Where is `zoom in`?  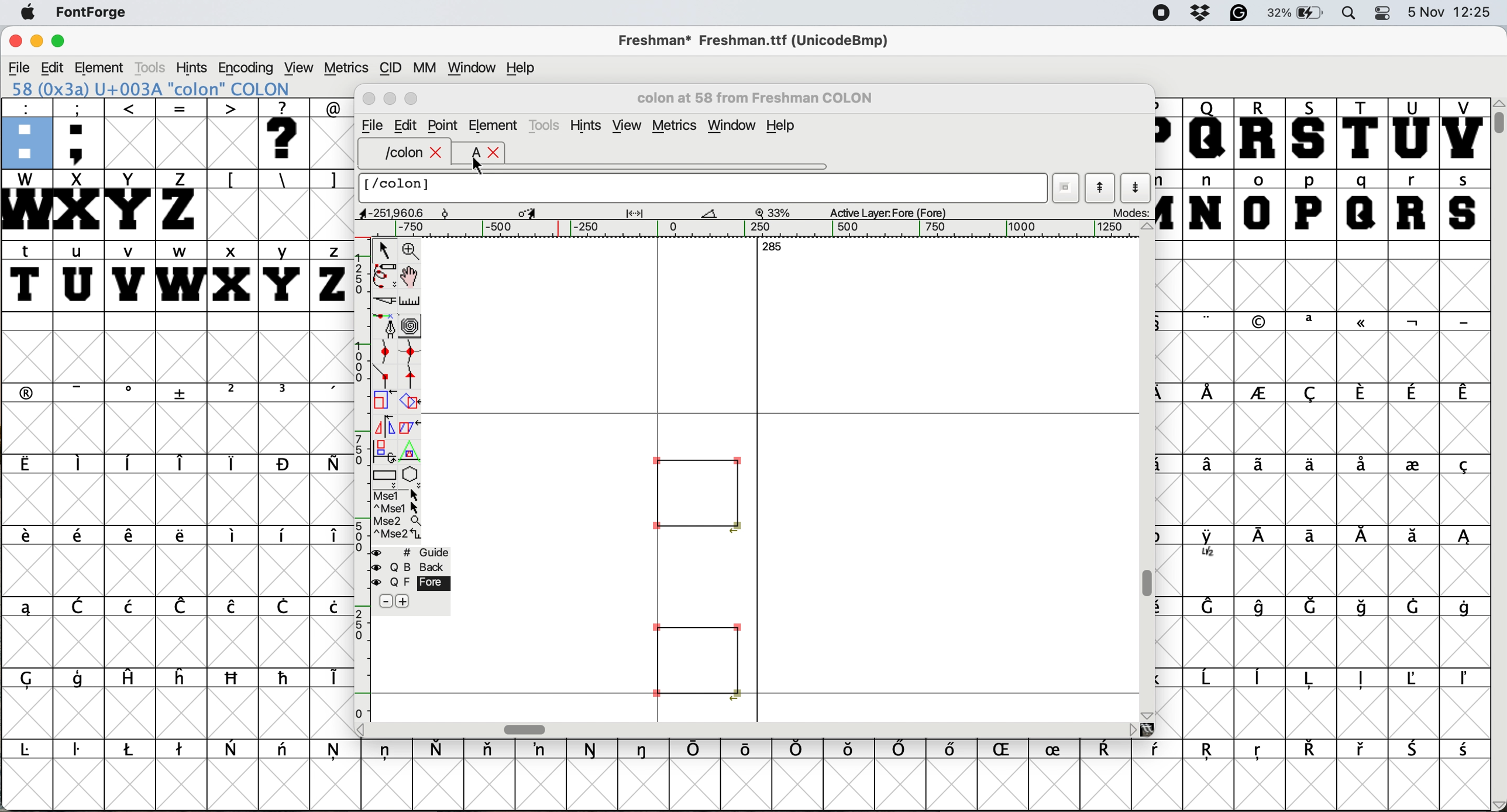 zoom in is located at coordinates (411, 248).